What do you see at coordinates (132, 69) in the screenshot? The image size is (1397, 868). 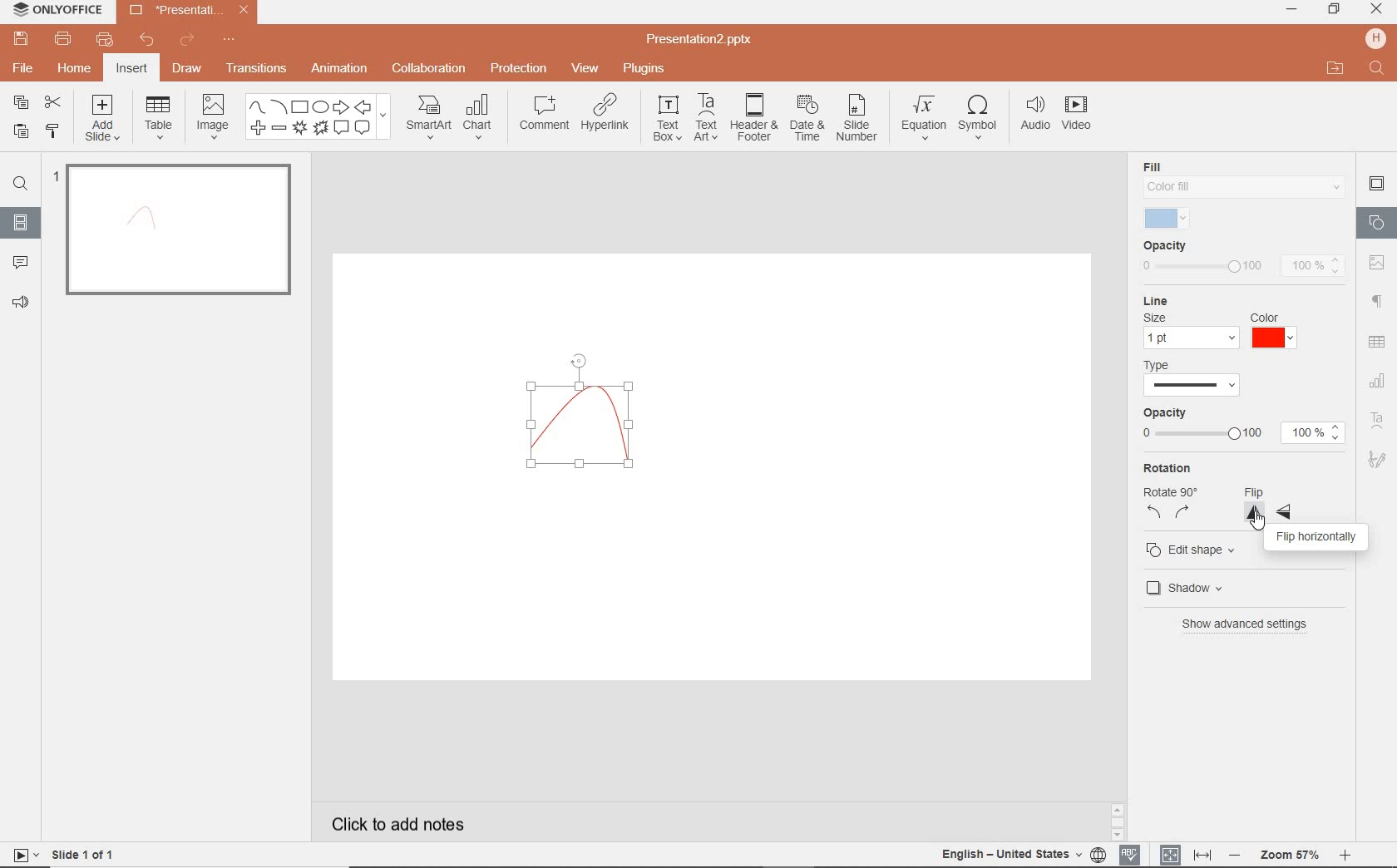 I see `INSERT` at bounding box center [132, 69].